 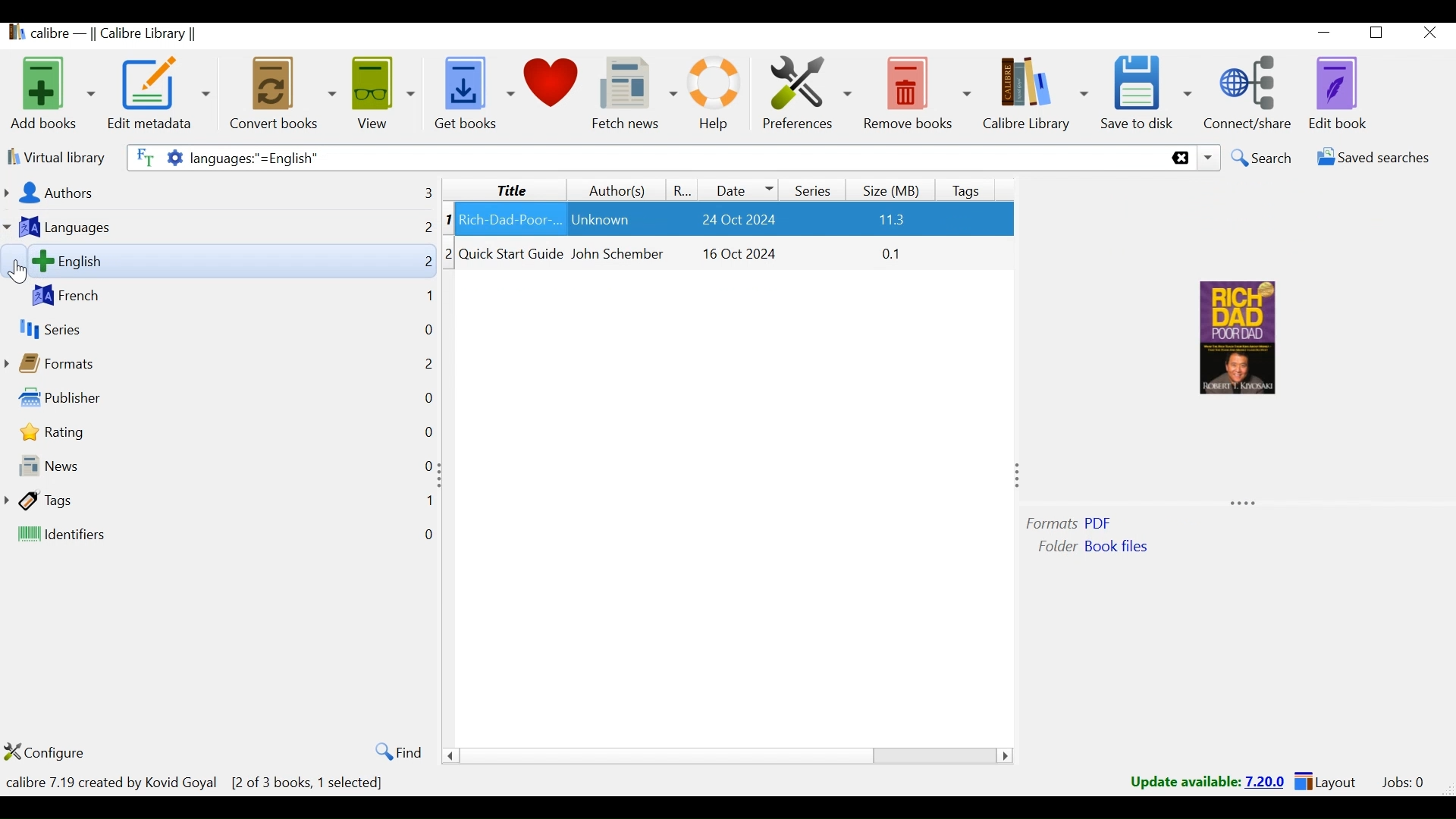 I want to click on series, so click(x=63, y=329).